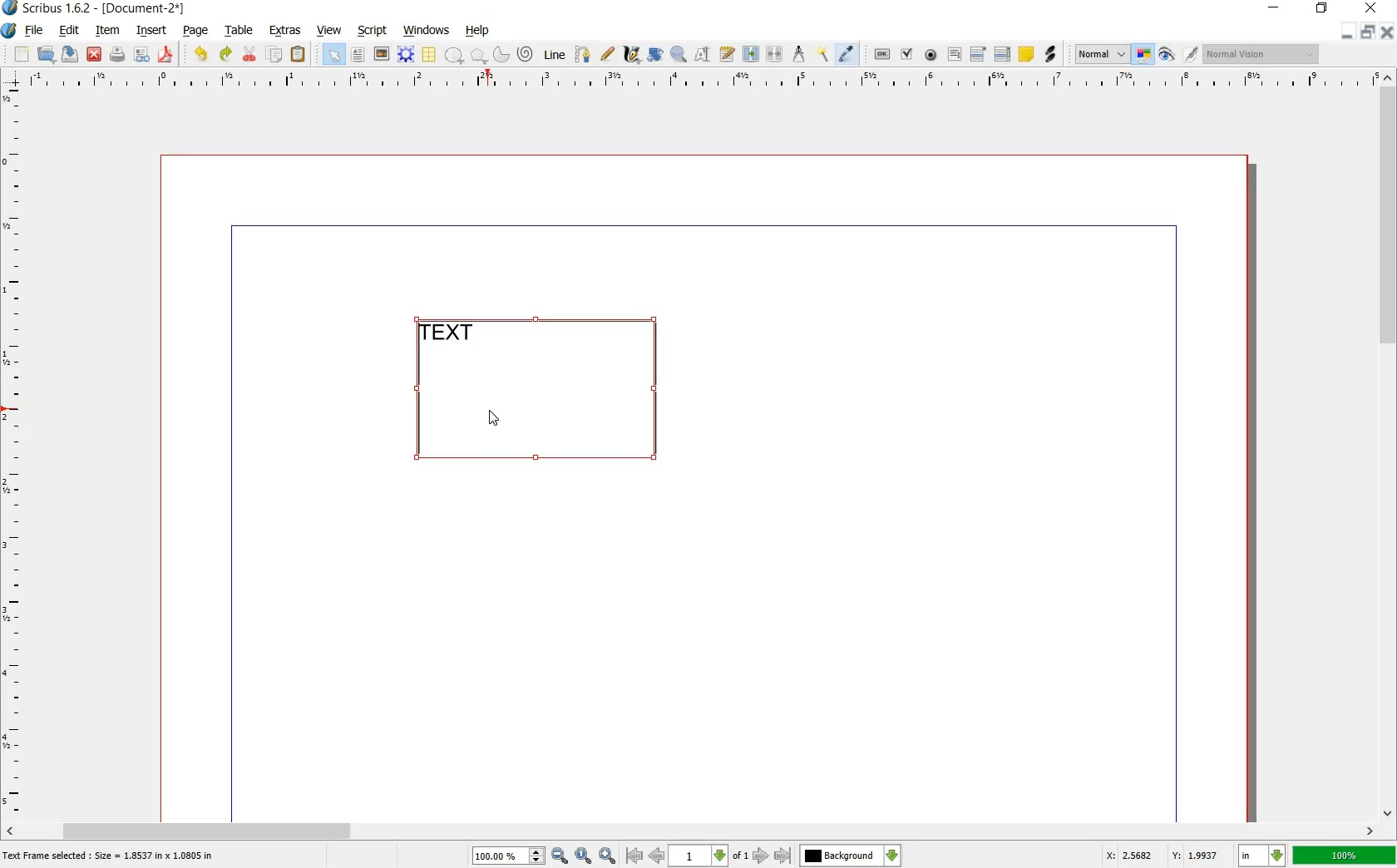 Image resolution: width=1397 pixels, height=868 pixels. Describe the element at coordinates (117, 55) in the screenshot. I see `print` at that location.